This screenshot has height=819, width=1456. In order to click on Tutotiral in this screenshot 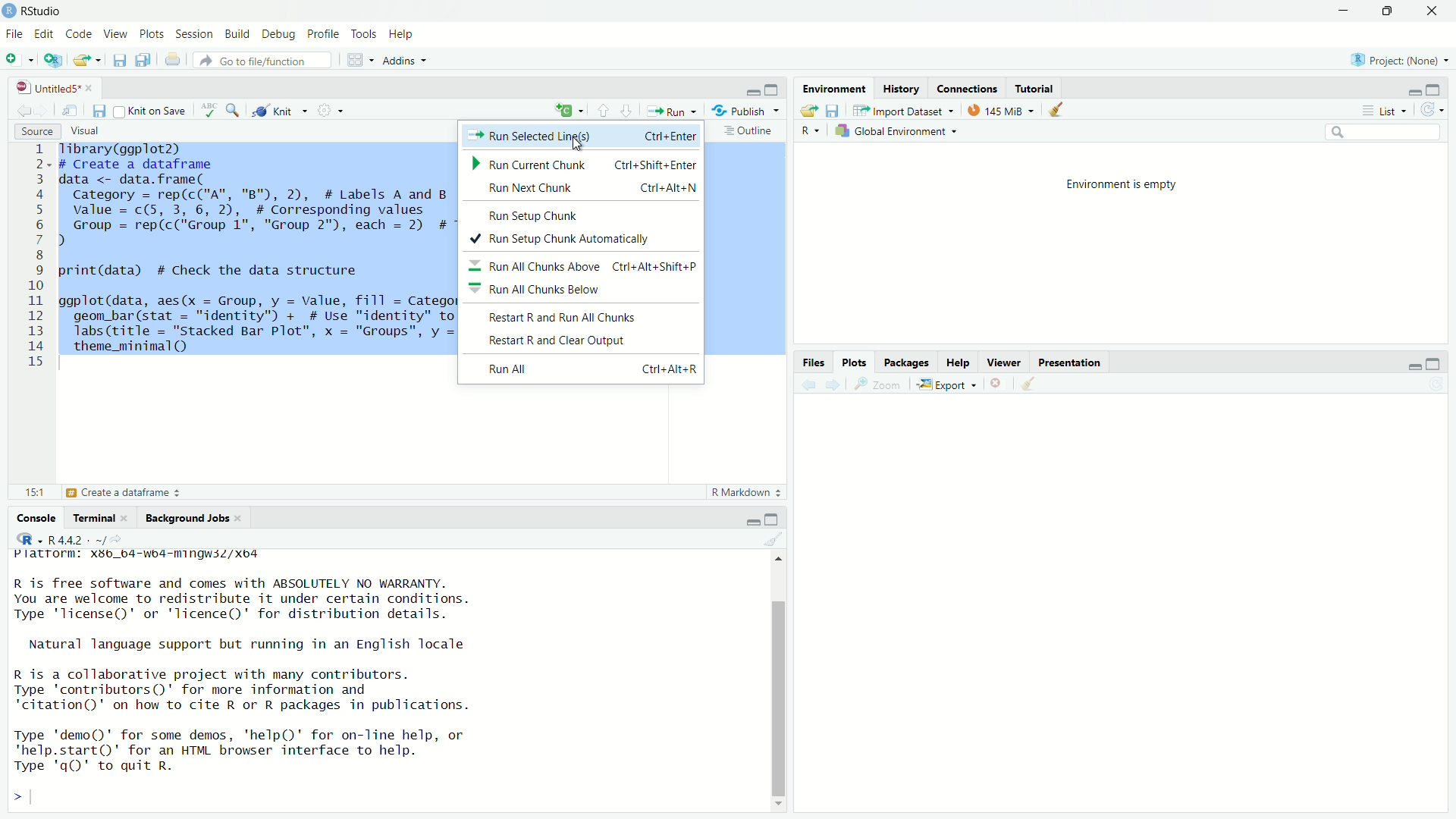, I will do `click(1035, 87)`.